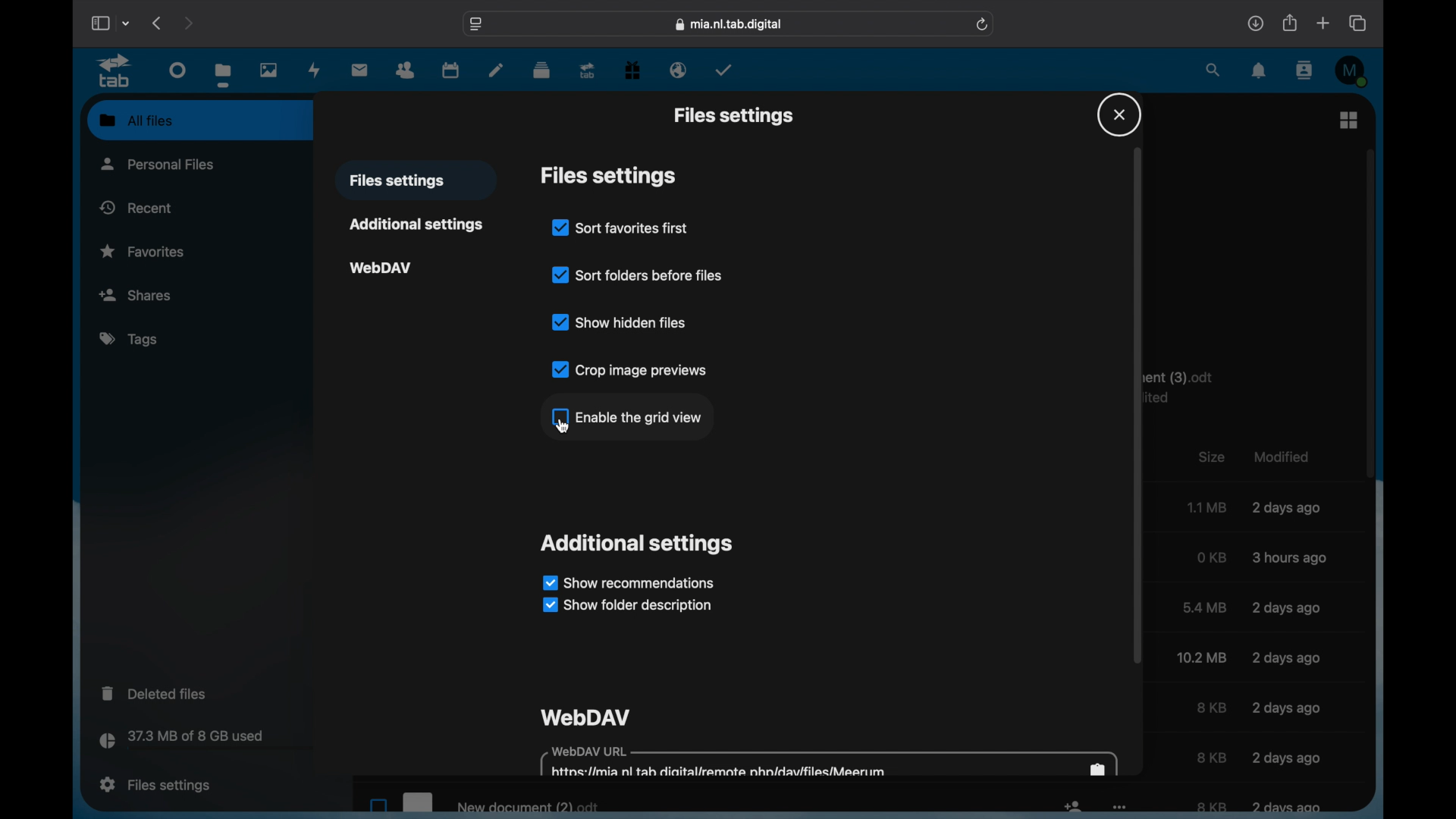 The width and height of the screenshot is (1456, 819). I want to click on size, so click(1211, 708).